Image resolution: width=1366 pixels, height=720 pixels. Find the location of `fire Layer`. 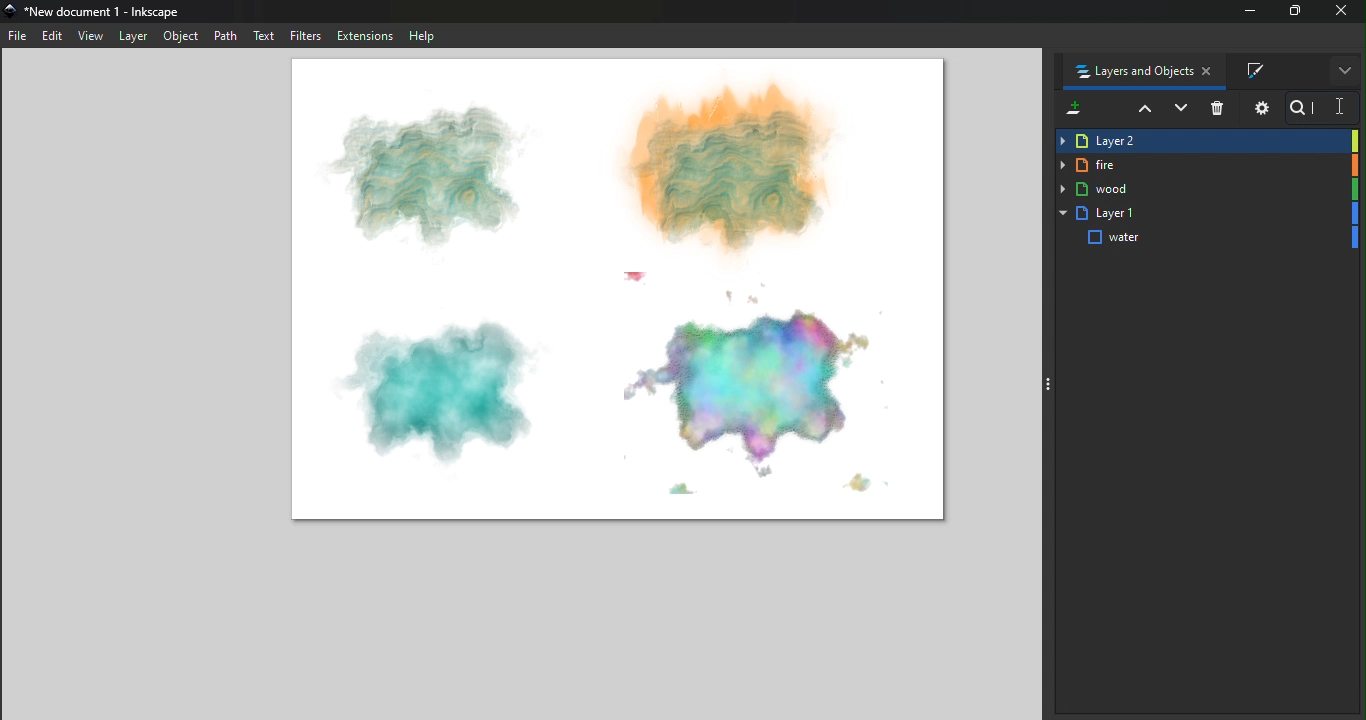

fire Layer is located at coordinates (1206, 166).